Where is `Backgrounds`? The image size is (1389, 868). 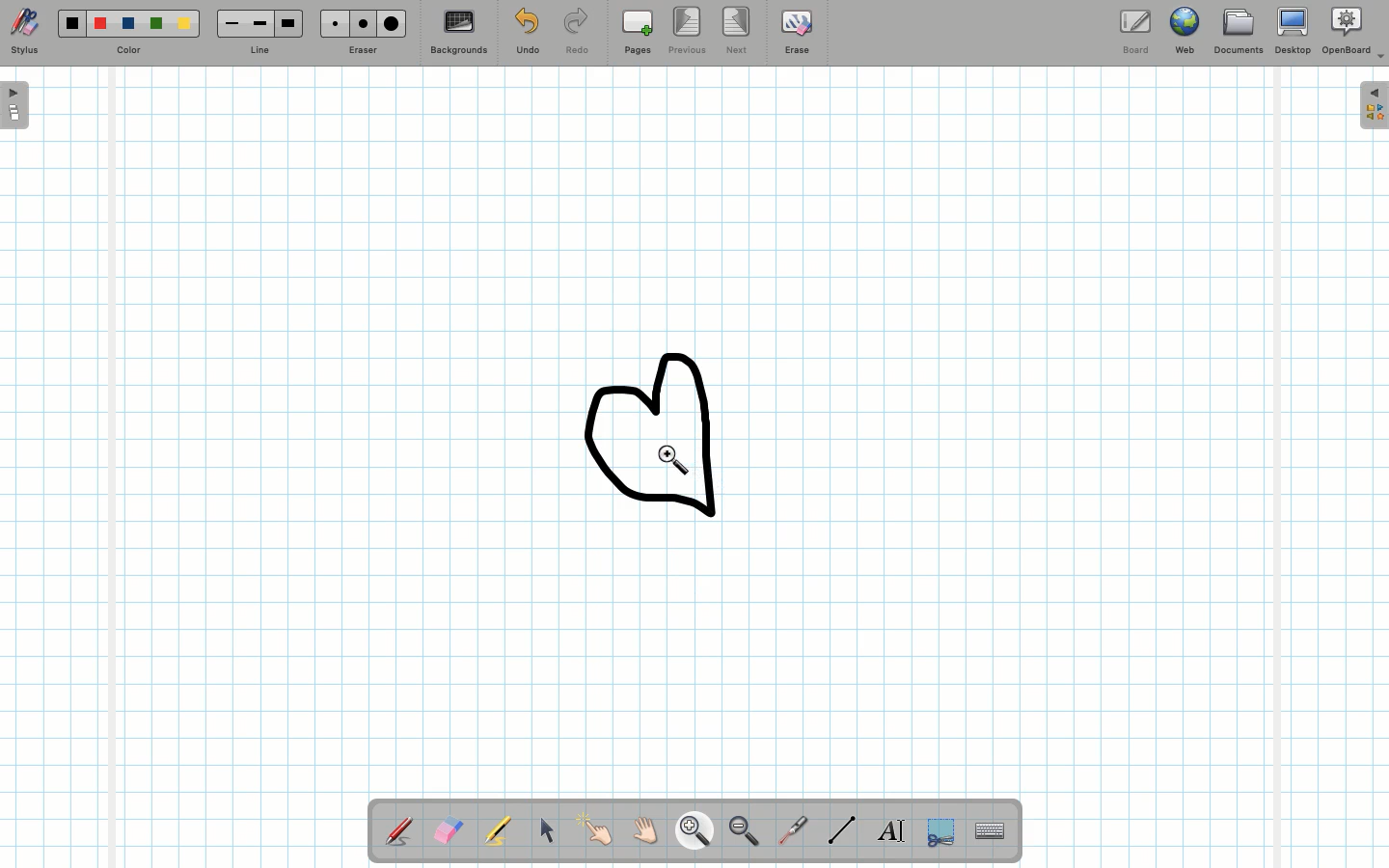
Backgrounds is located at coordinates (459, 32).